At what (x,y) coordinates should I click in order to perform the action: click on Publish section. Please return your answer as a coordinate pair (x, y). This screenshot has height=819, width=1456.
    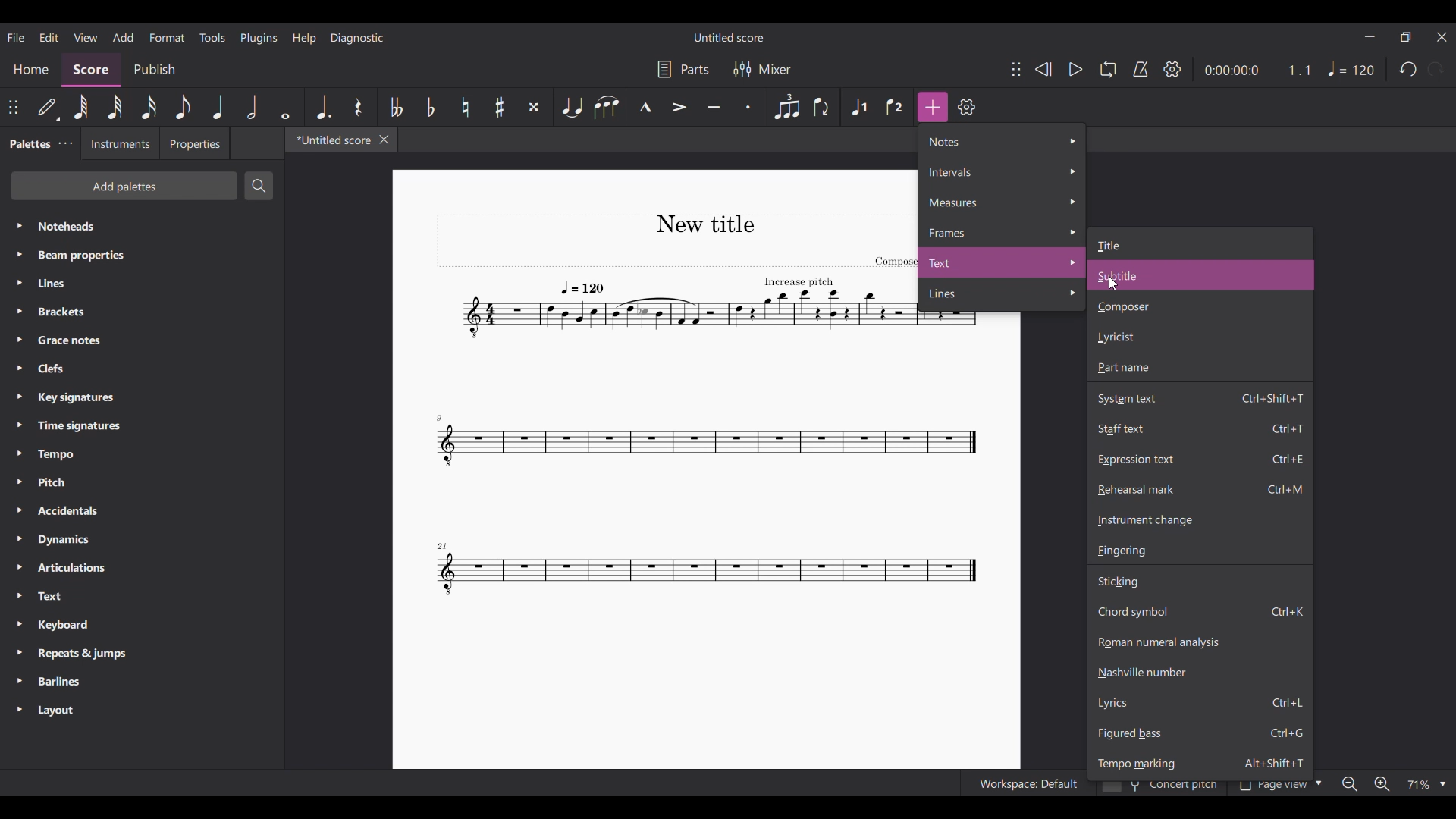
    Looking at the image, I should click on (155, 70).